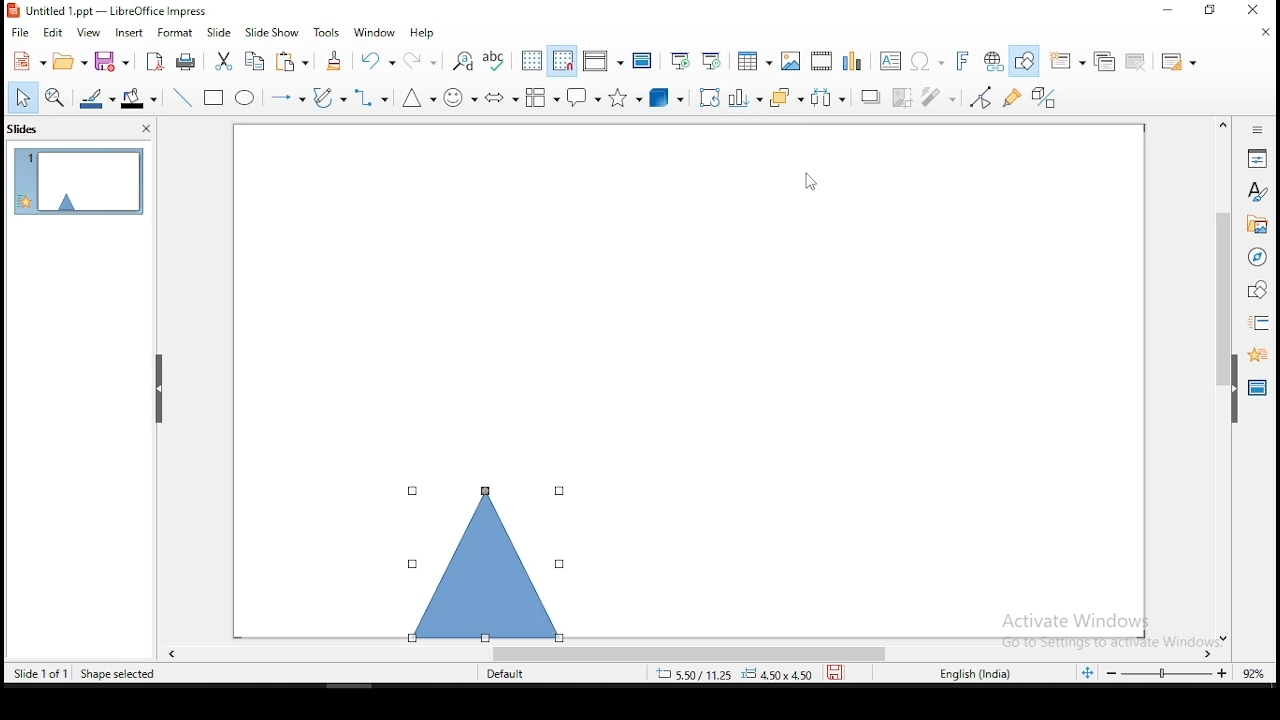 This screenshot has height=720, width=1280. I want to click on save, so click(115, 61).